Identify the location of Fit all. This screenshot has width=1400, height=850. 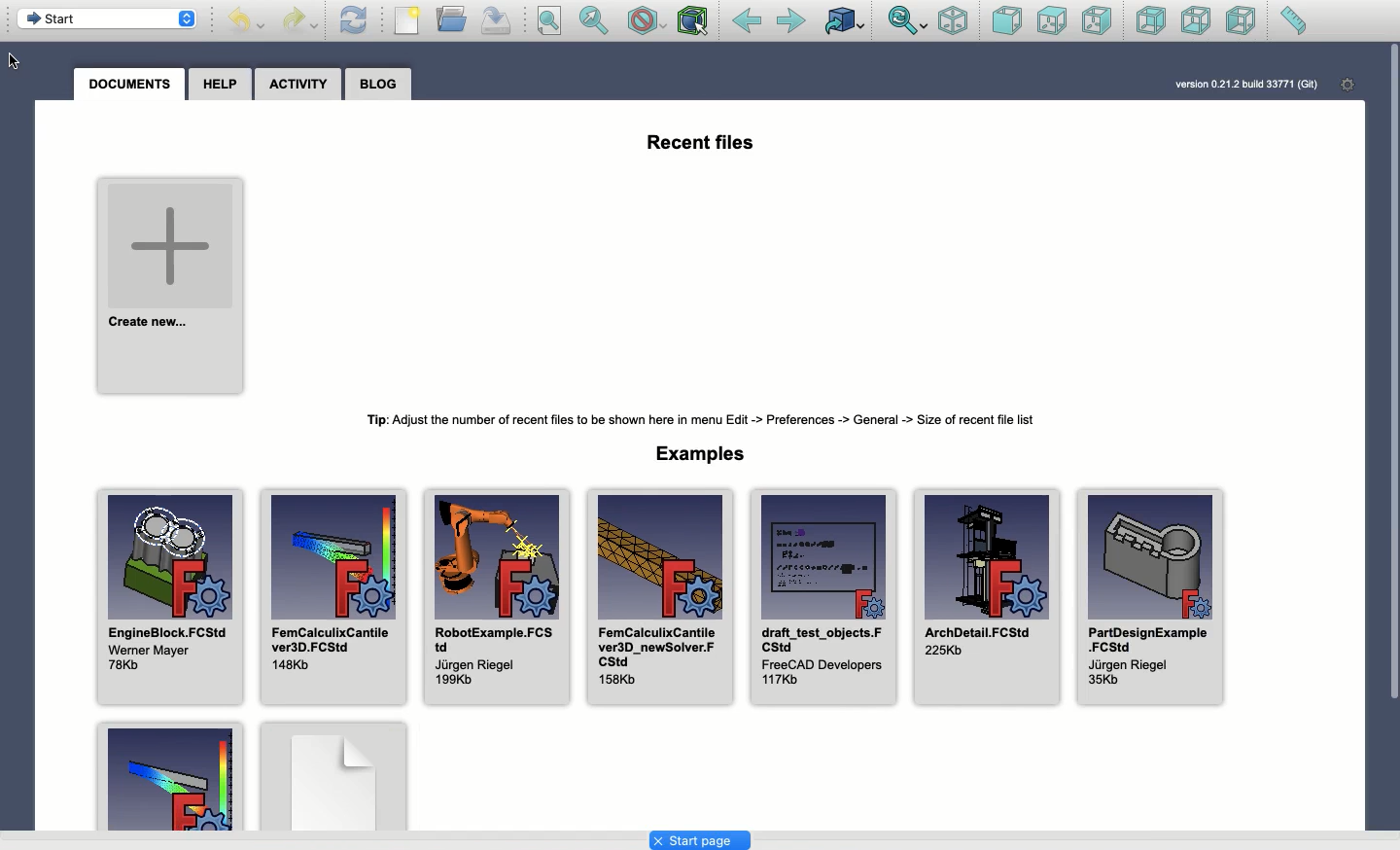
(547, 20).